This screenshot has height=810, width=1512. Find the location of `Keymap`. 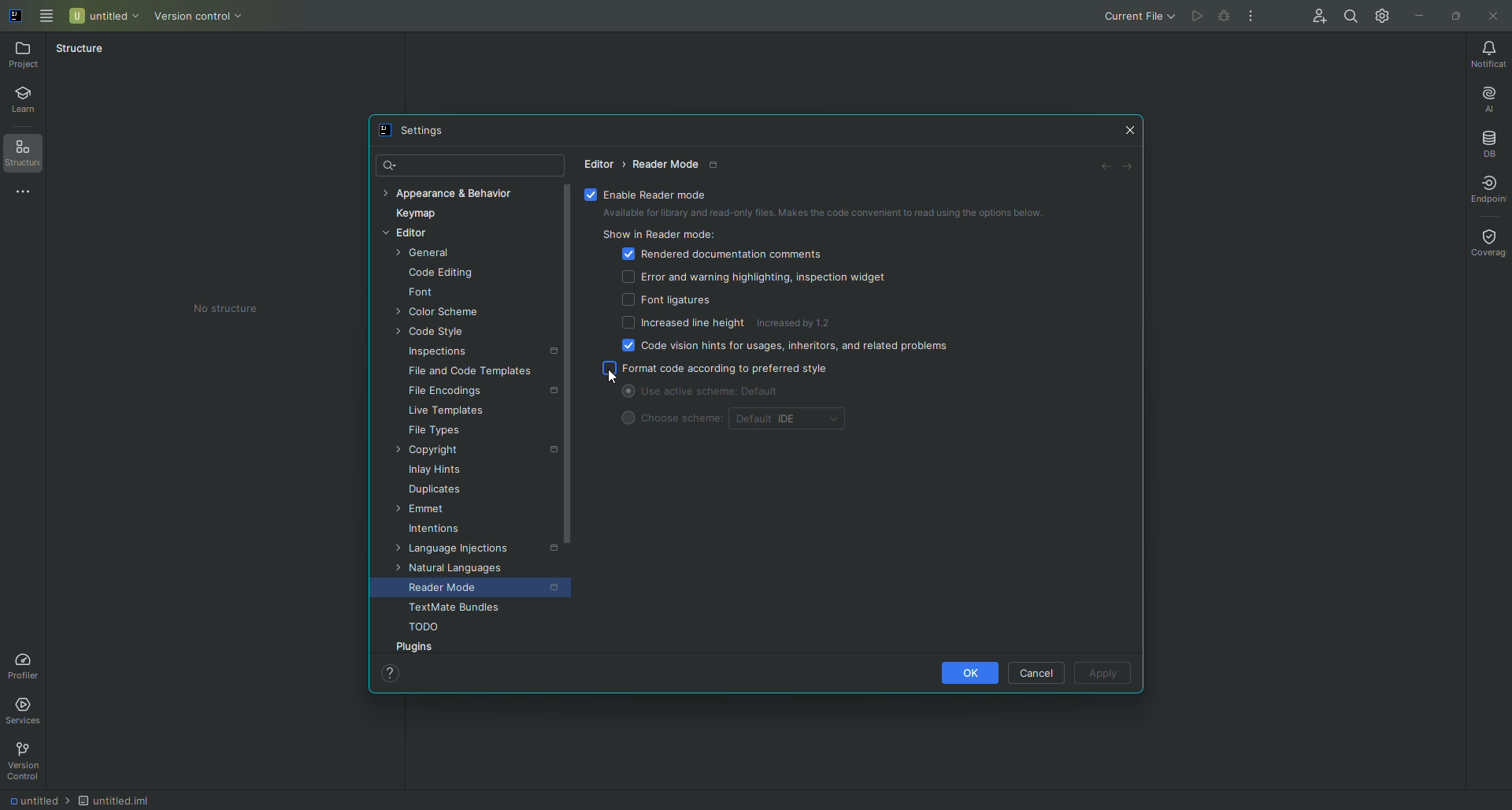

Keymap is located at coordinates (412, 214).